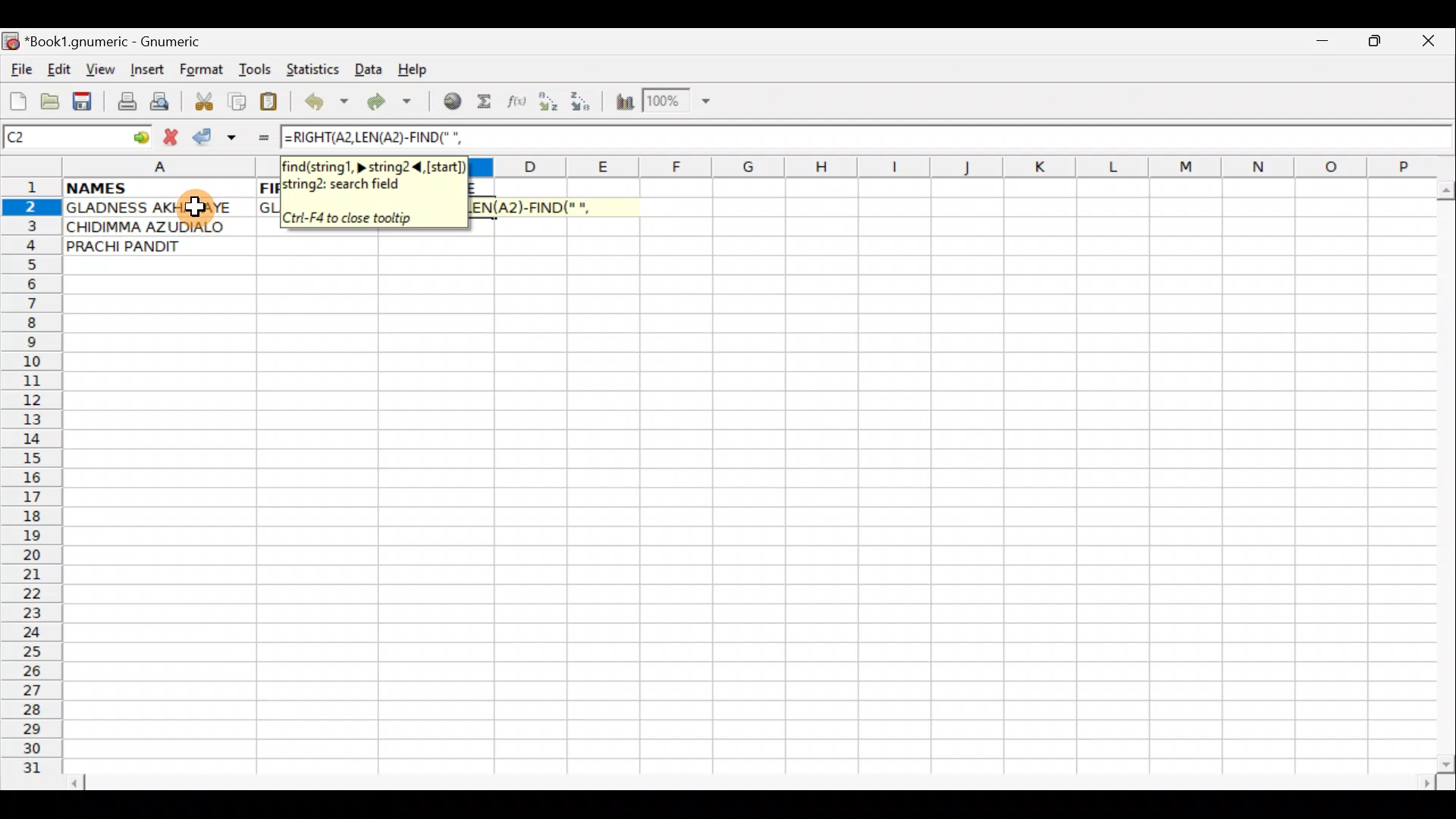  Describe the element at coordinates (256, 70) in the screenshot. I see `Tools` at that location.